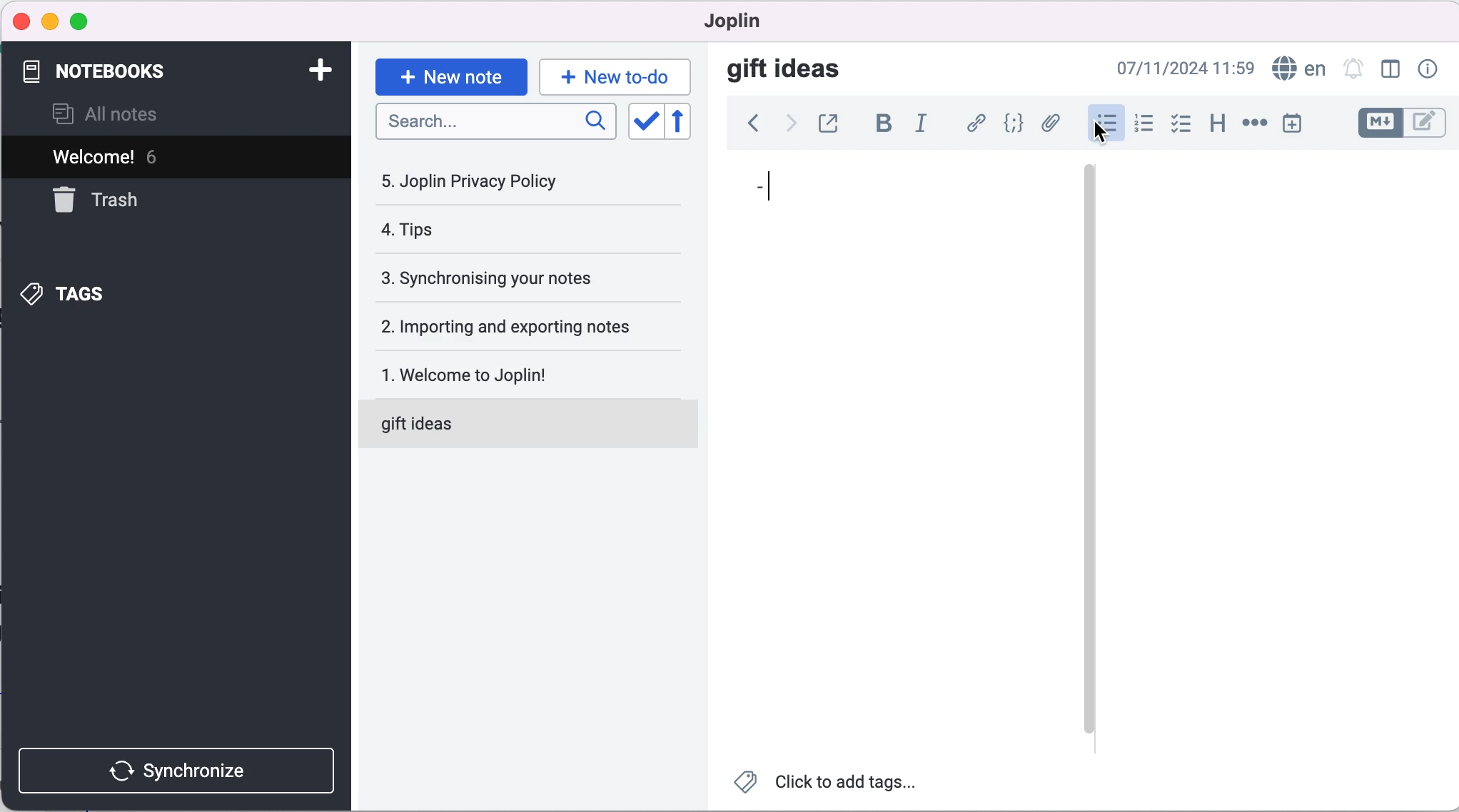 The image size is (1459, 812). What do you see at coordinates (1144, 124) in the screenshot?
I see `numbered list` at bounding box center [1144, 124].